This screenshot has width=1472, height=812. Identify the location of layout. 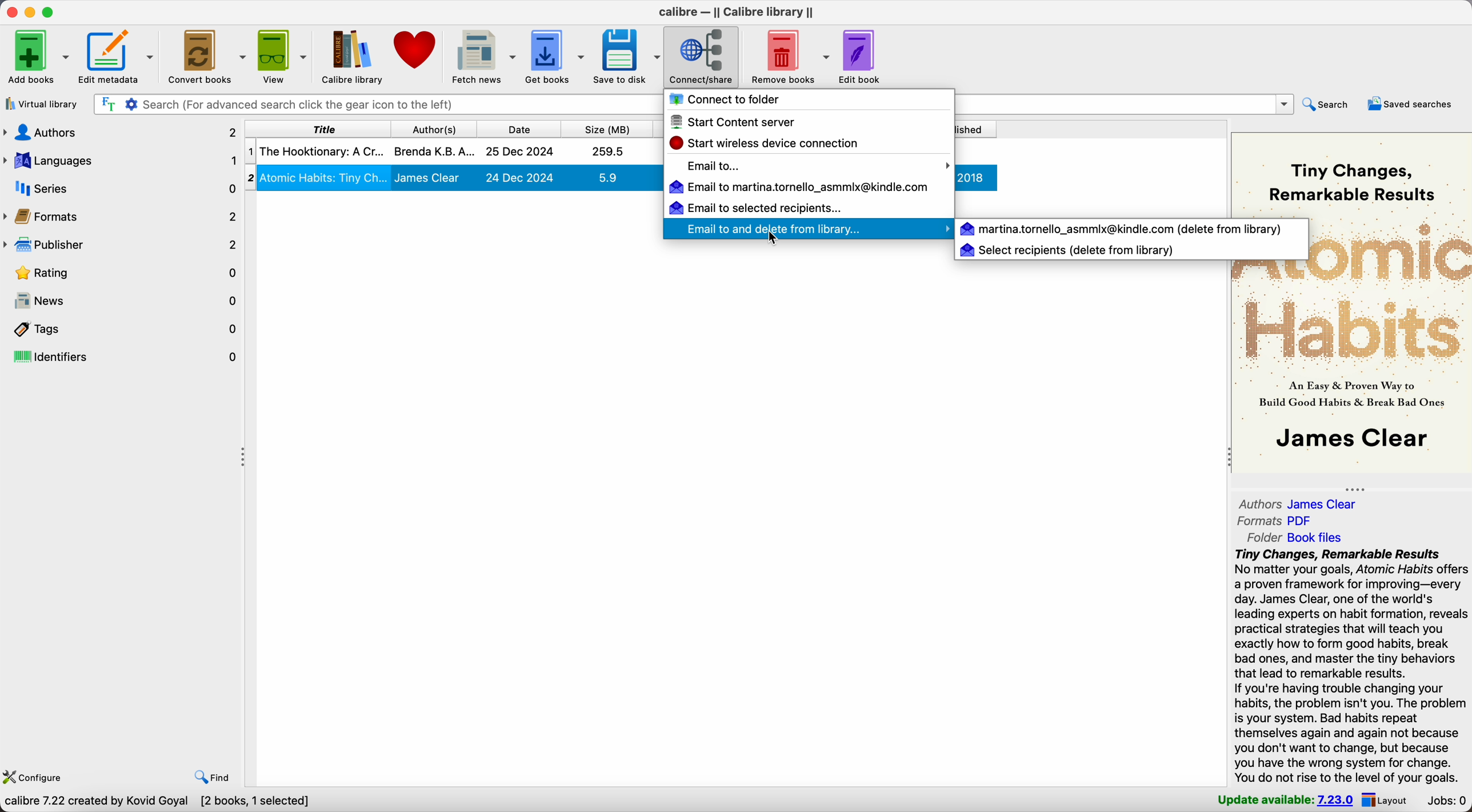
(1387, 801).